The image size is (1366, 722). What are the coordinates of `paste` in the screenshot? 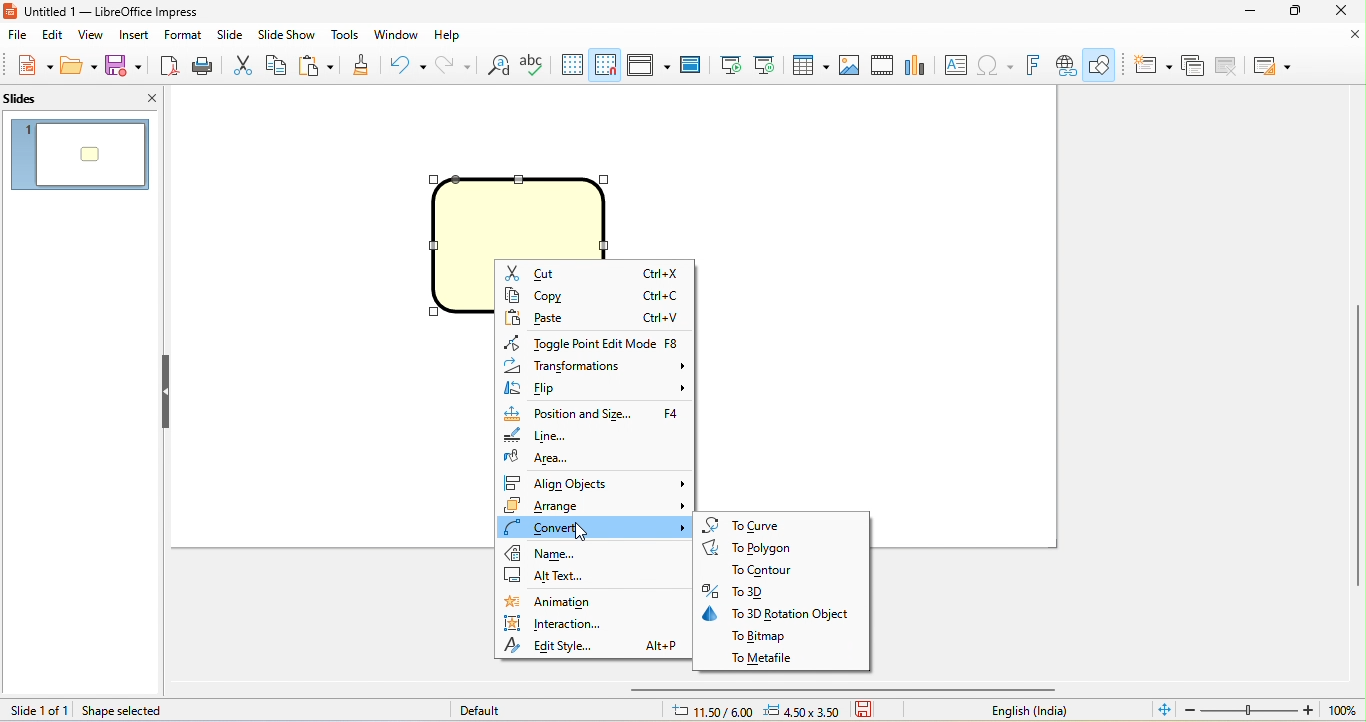 It's located at (319, 66).